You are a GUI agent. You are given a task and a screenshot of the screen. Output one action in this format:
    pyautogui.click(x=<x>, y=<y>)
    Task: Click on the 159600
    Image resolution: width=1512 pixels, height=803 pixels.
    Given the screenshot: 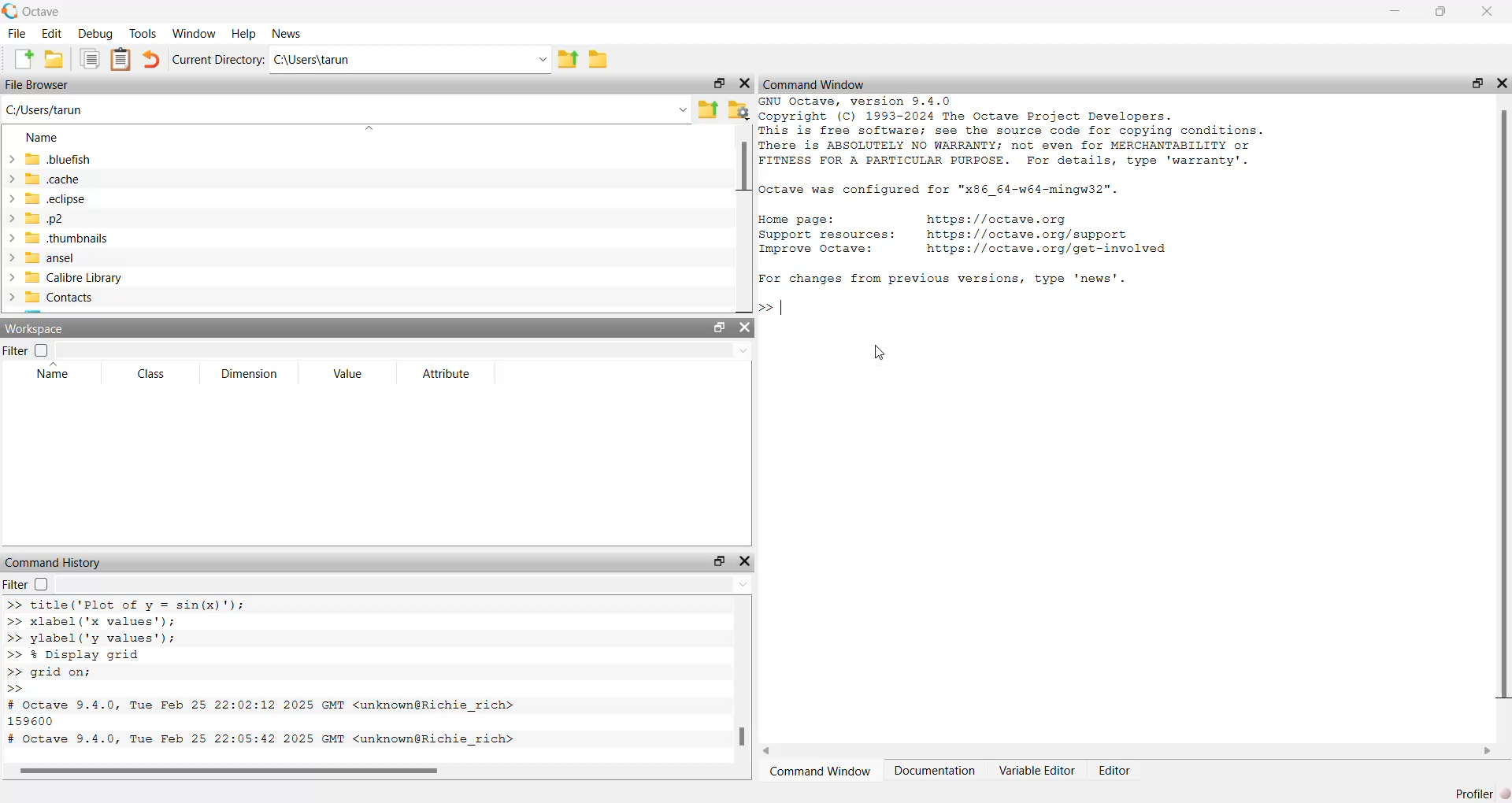 What is the action you would take?
    pyautogui.click(x=38, y=722)
    